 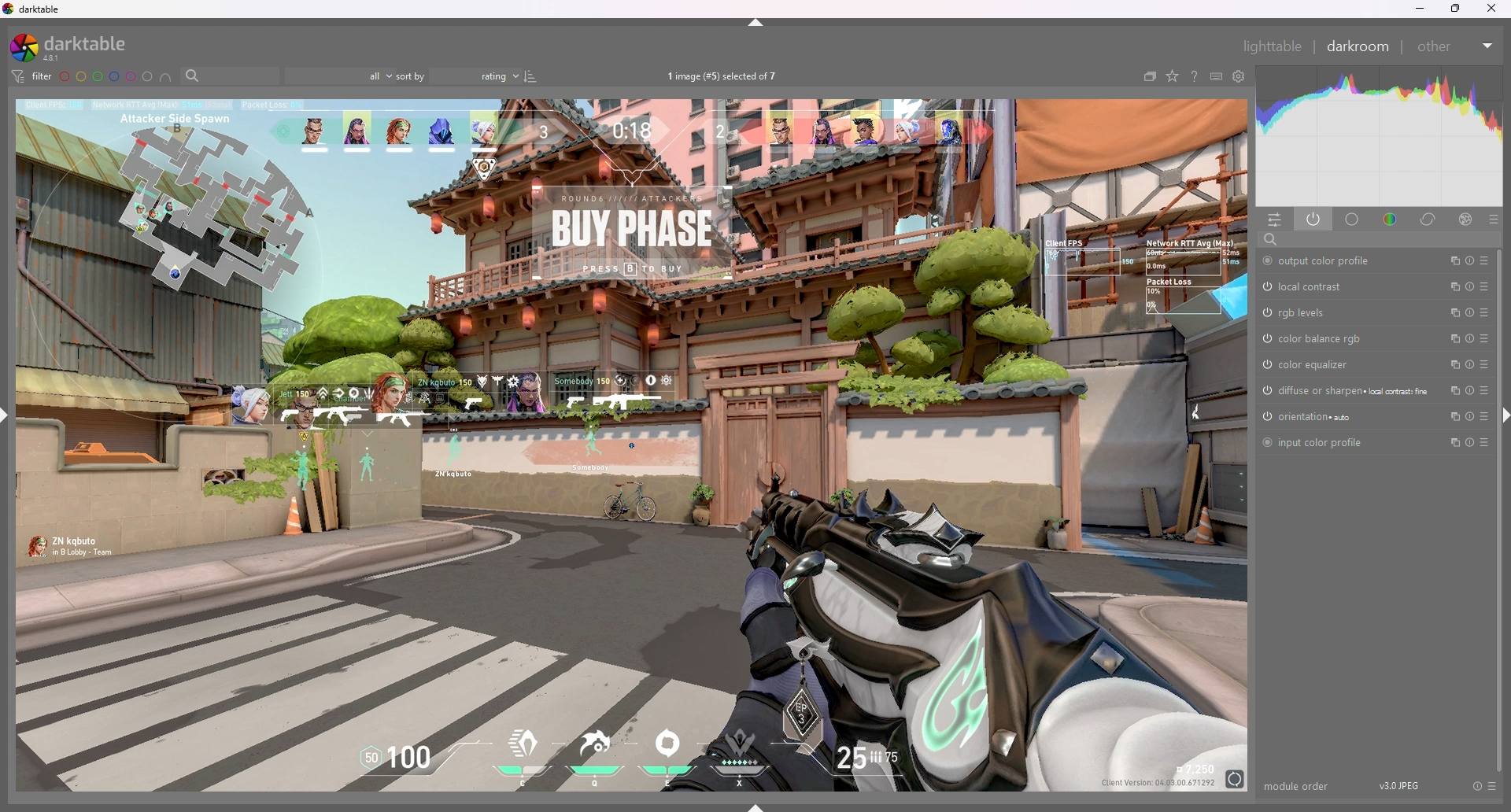 What do you see at coordinates (1353, 219) in the screenshot?
I see `base` at bounding box center [1353, 219].